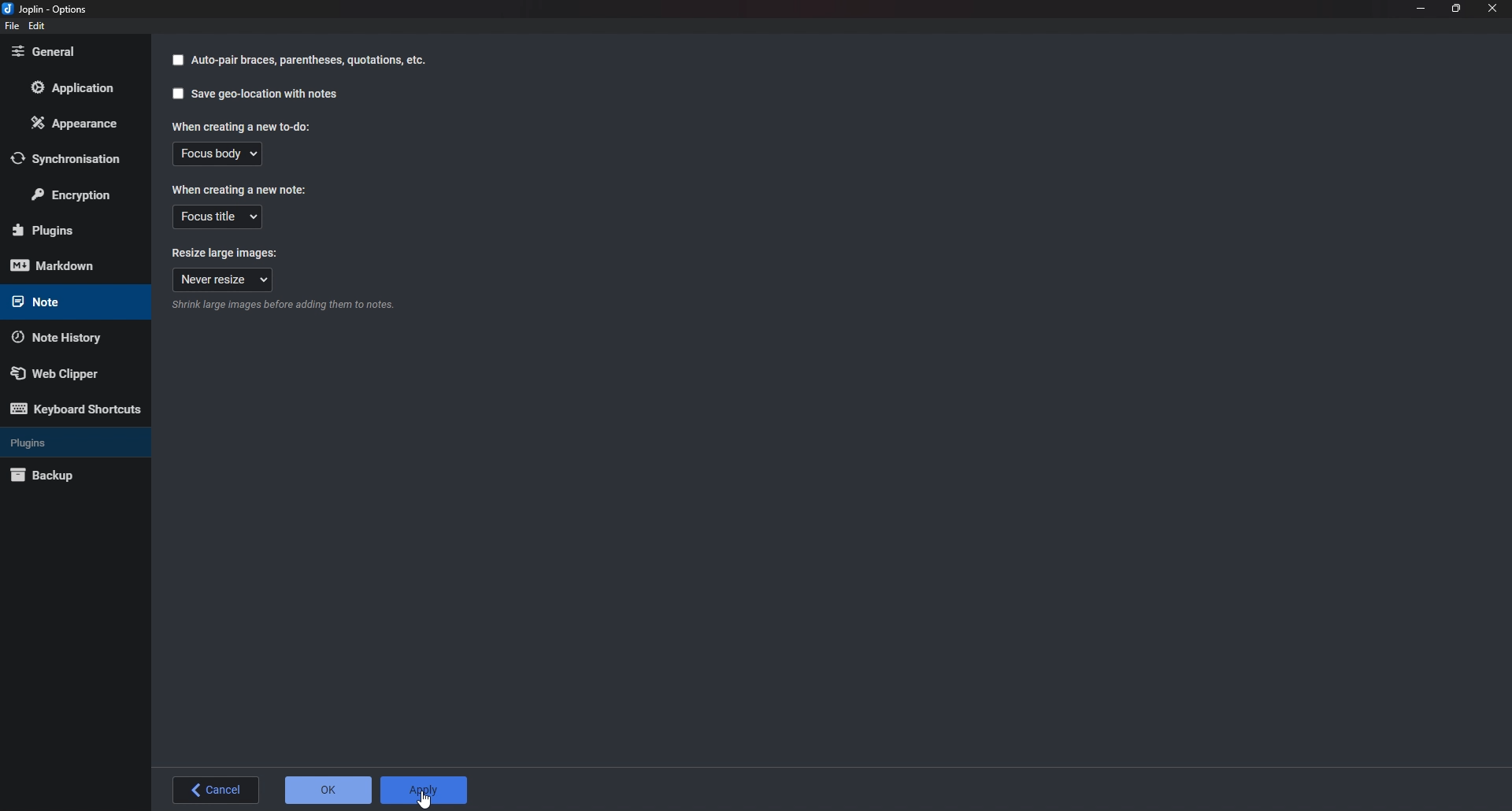 Image resolution: width=1512 pixels, height=811 pixels. I want to click on back, so click(217, 788).